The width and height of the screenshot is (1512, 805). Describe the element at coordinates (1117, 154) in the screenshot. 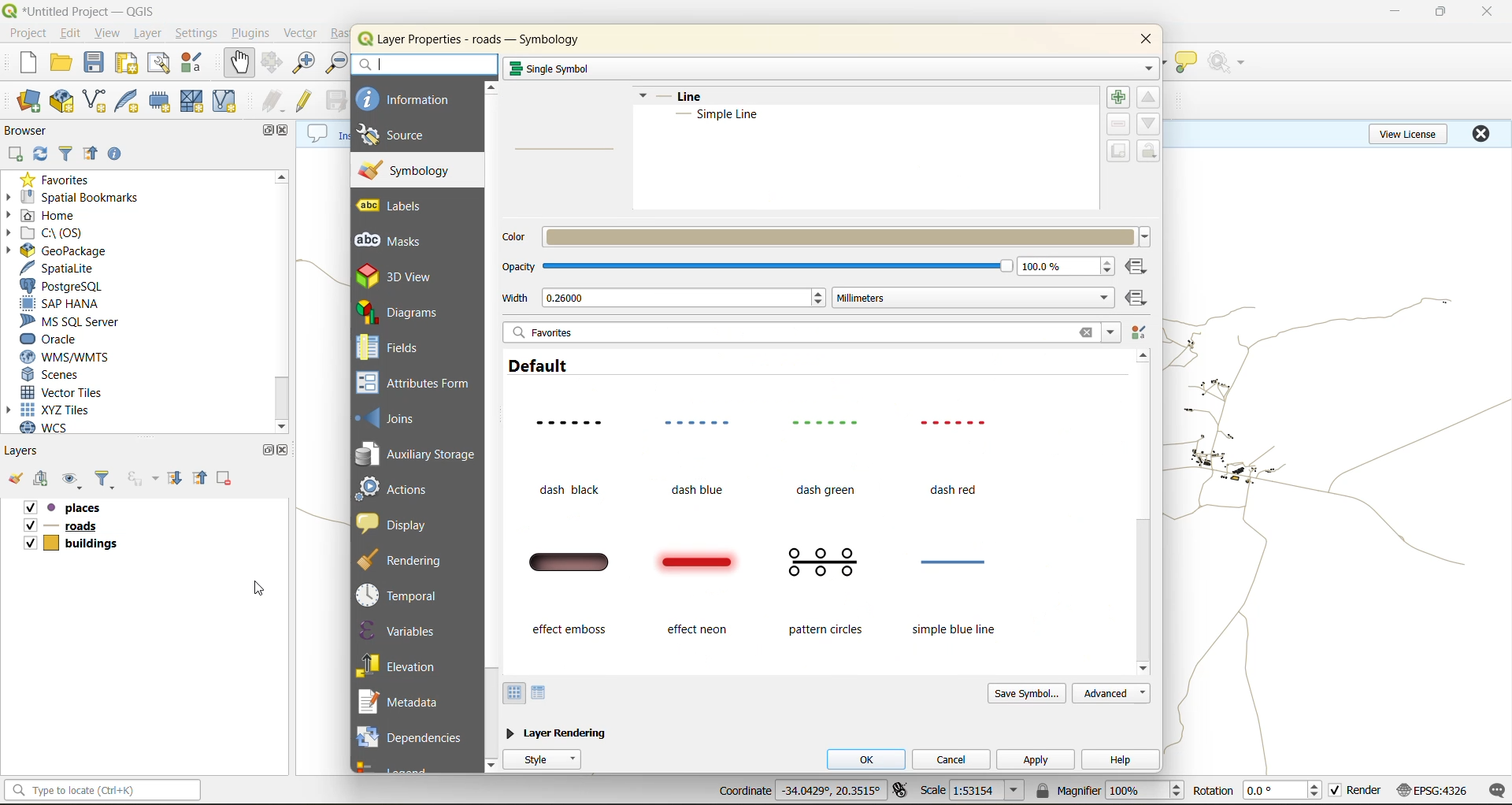

I see `duplicate symbol layer` at that location.